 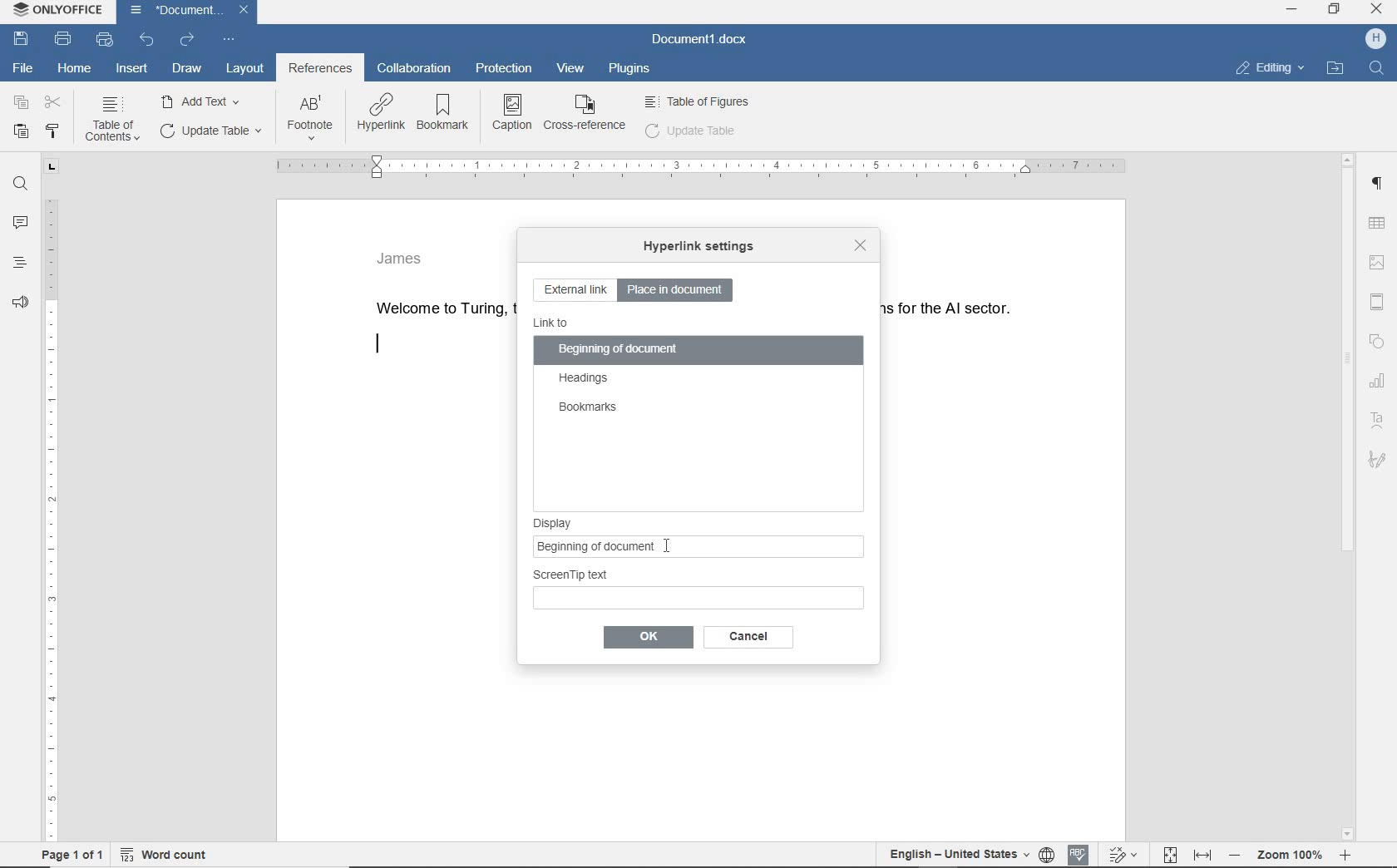 What do you see at coordinates (378, 345) in the screenshot?
I see `editor line` at bounding box center [378, 345].